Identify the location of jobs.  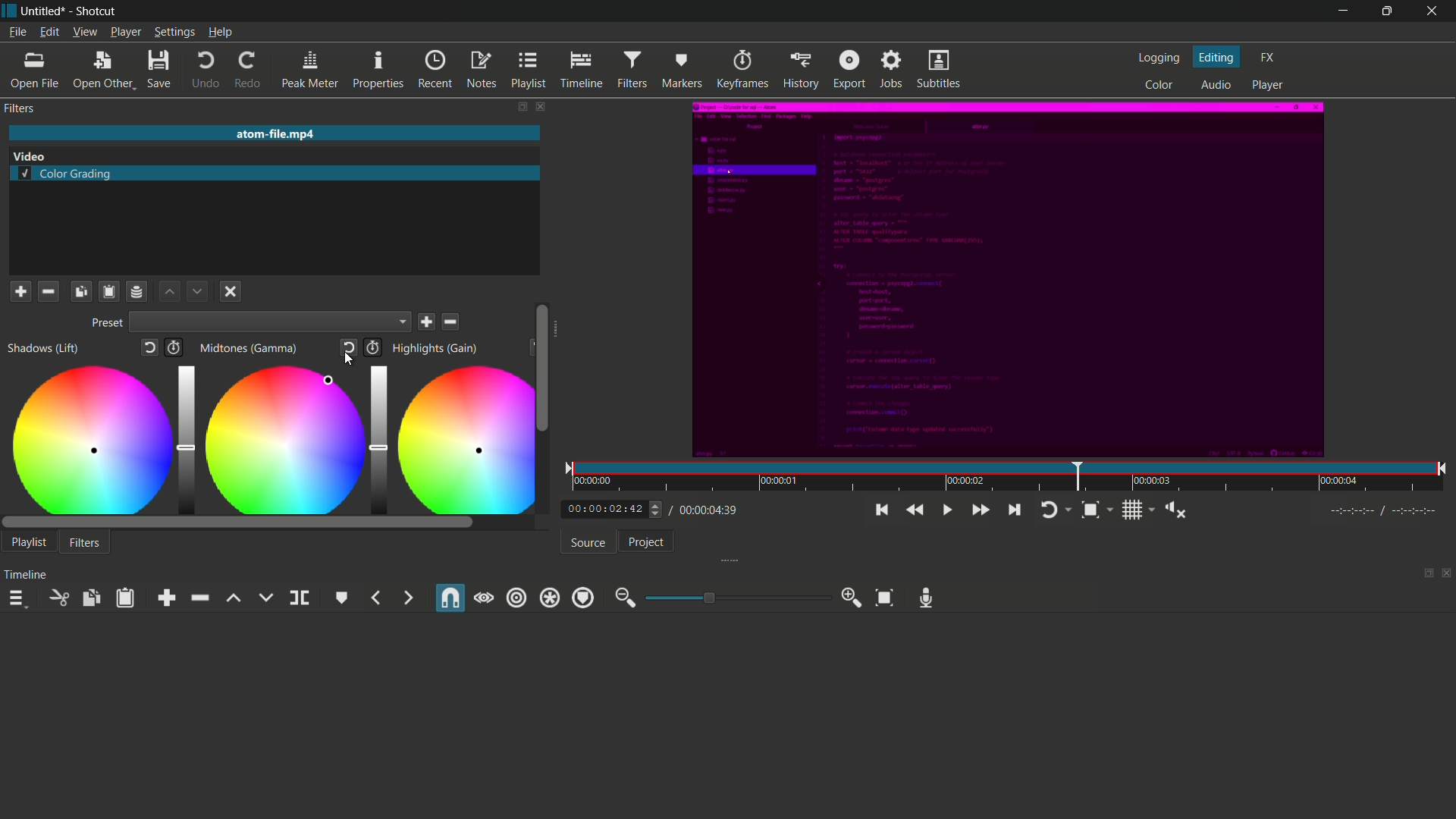
(892, 68).